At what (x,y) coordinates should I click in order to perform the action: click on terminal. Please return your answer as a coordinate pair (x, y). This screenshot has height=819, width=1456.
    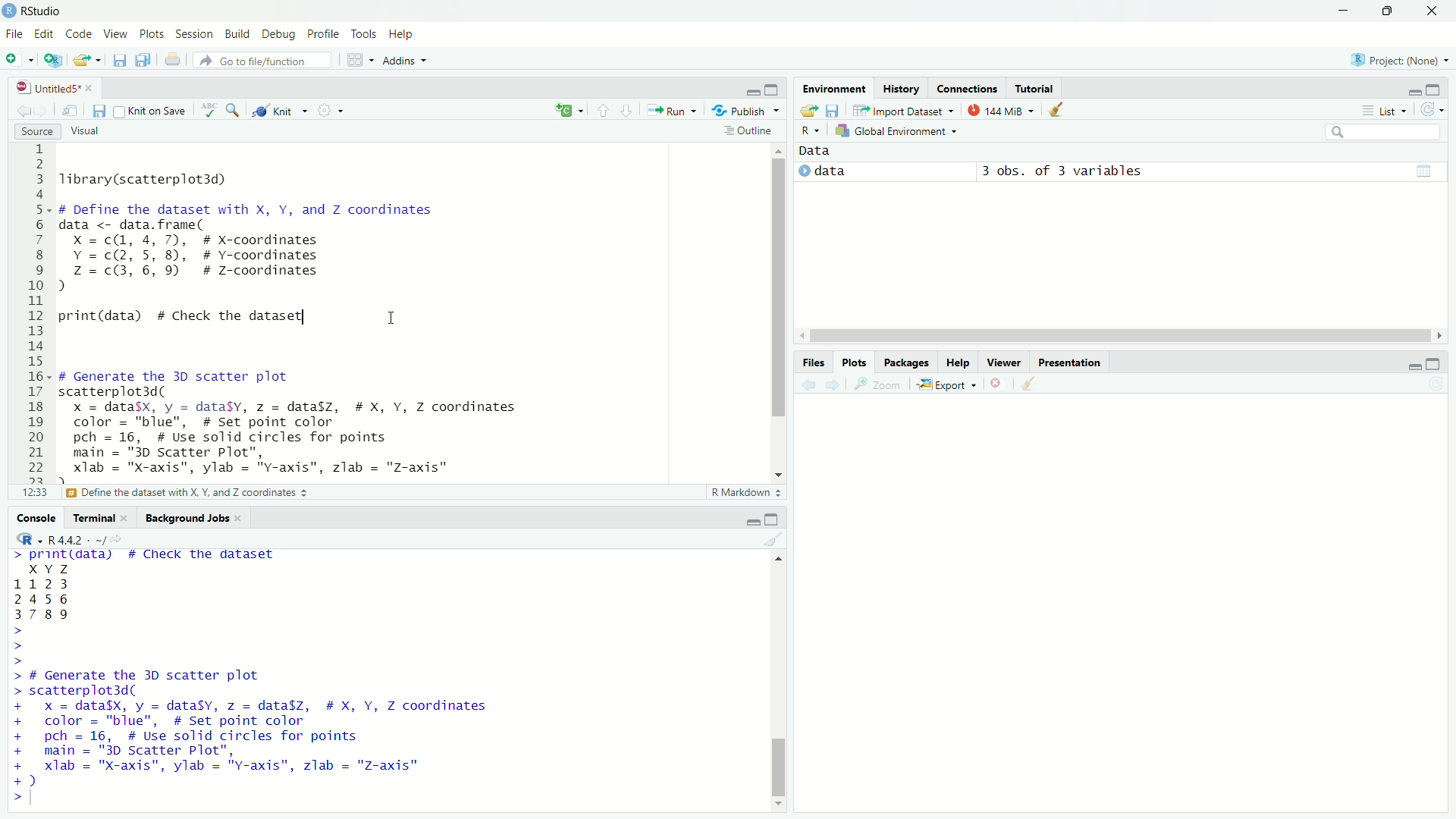
    Looking at the image, I should click on (89, 520).